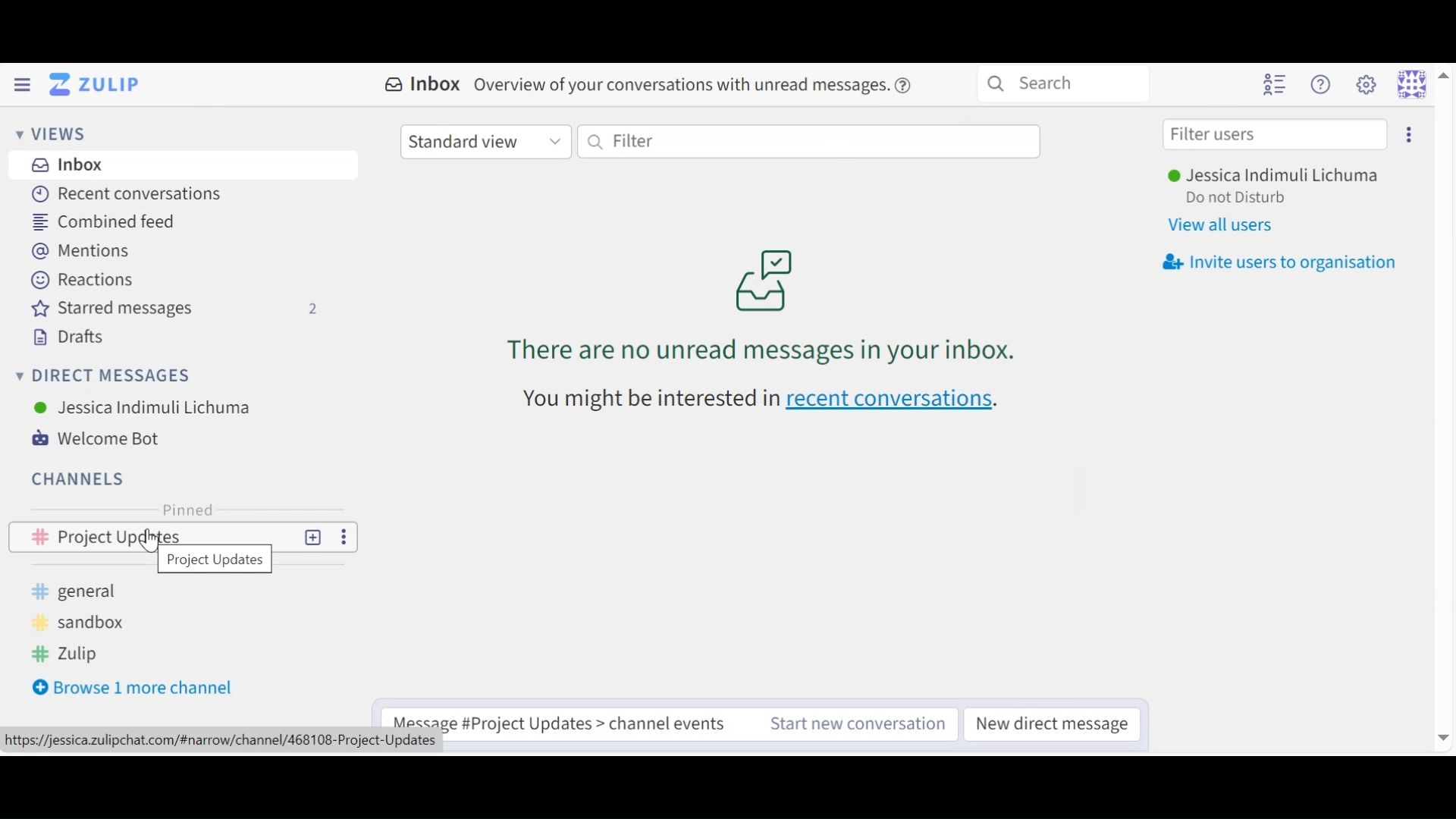 The width and height of the screenshot is (1456, 819). Describe the element at coordinates (135, 194) in the screenshot. I see `Recent Conversations` at that location.